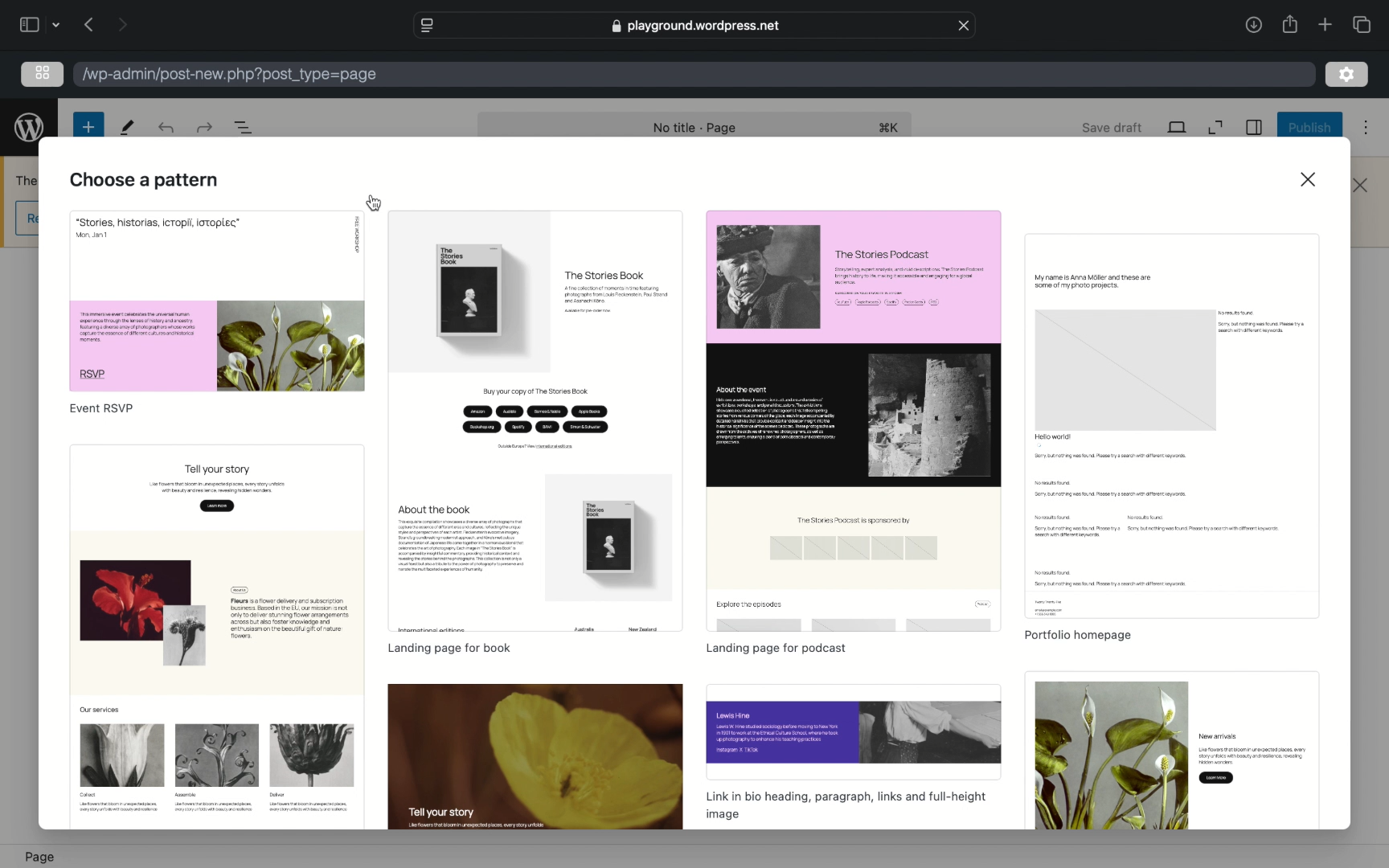 This screenshot has height=868, width=1389. What do you see at coordinates (216, 637) in the screenshot?
I see `preview` at bounding box center [216, 637].